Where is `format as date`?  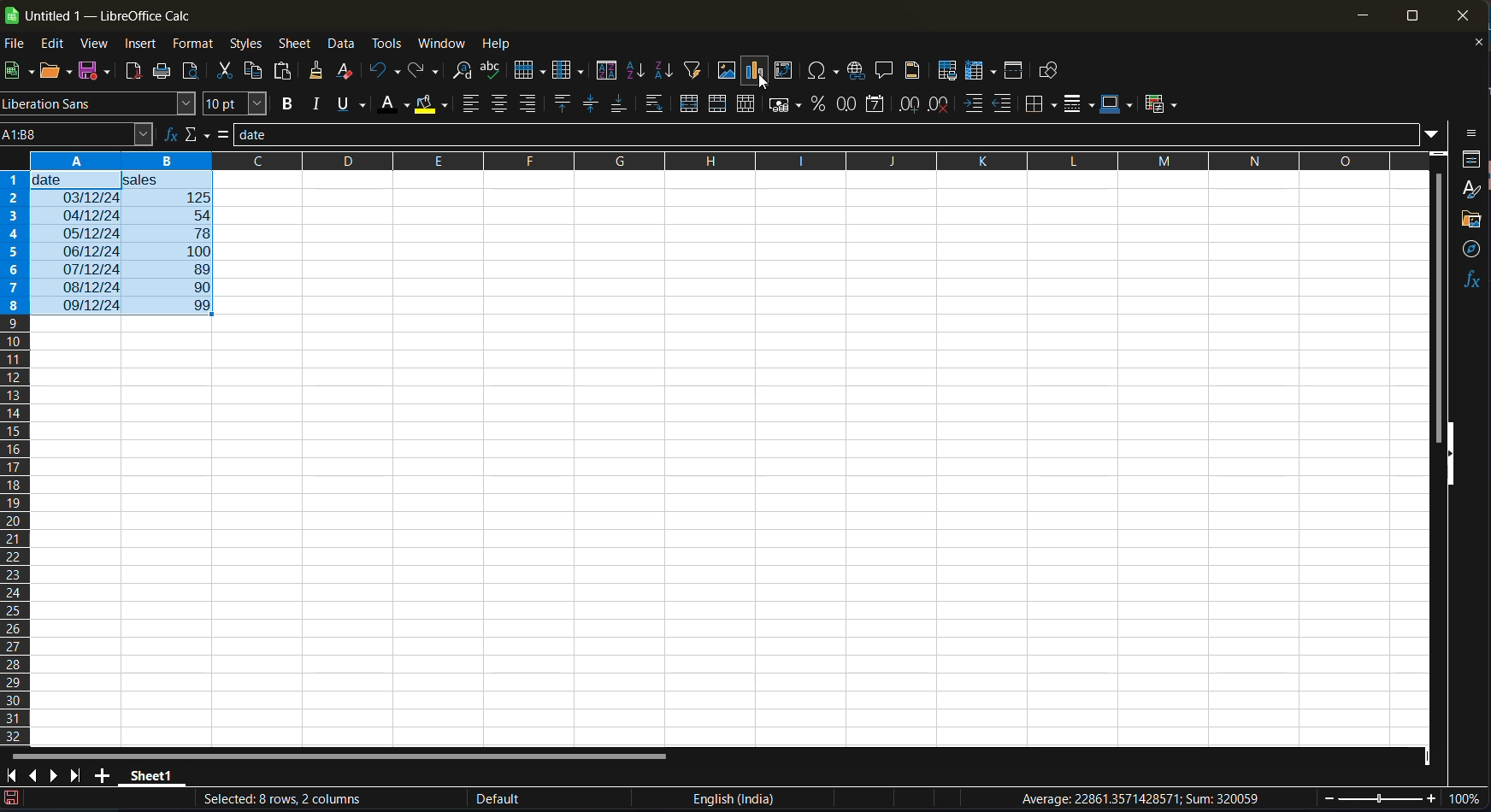
format as date is located at coordinates (880, 105).